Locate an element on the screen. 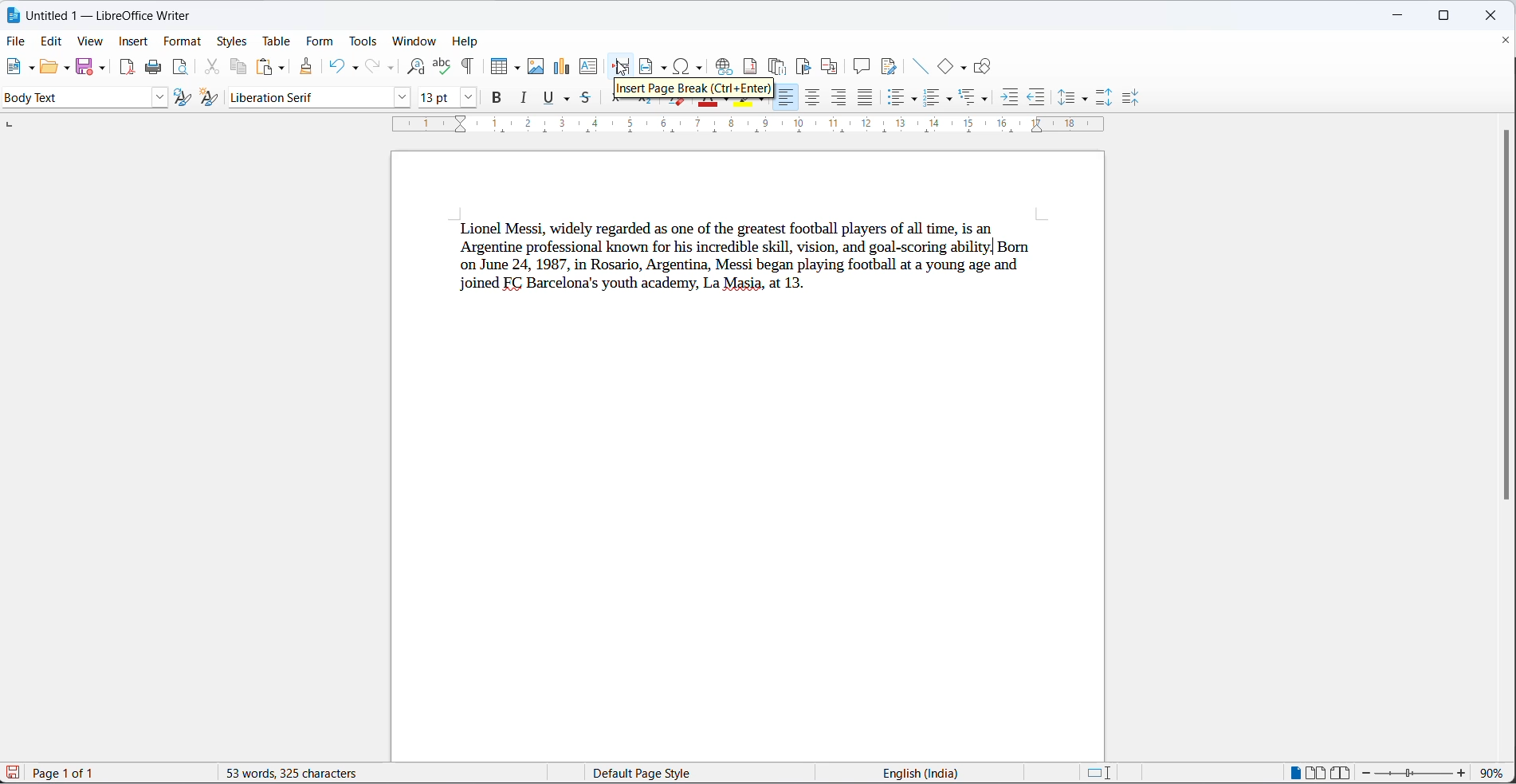 The image size is (1516, 784). text align center is located at coordinates (812, 98).